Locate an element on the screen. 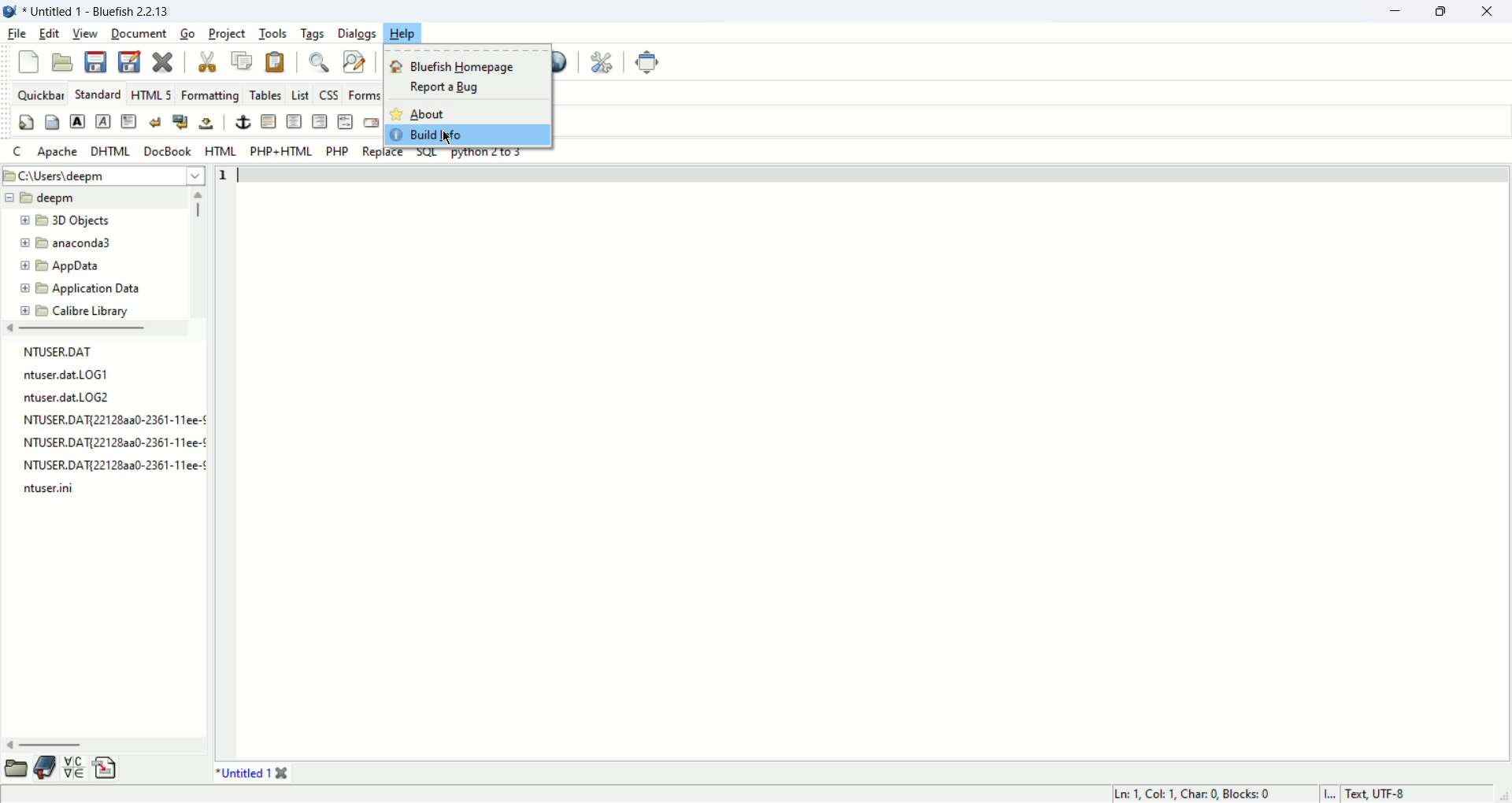 The width and height of the screenshot is (1512, 803). project is located at coordinates (228, 35).